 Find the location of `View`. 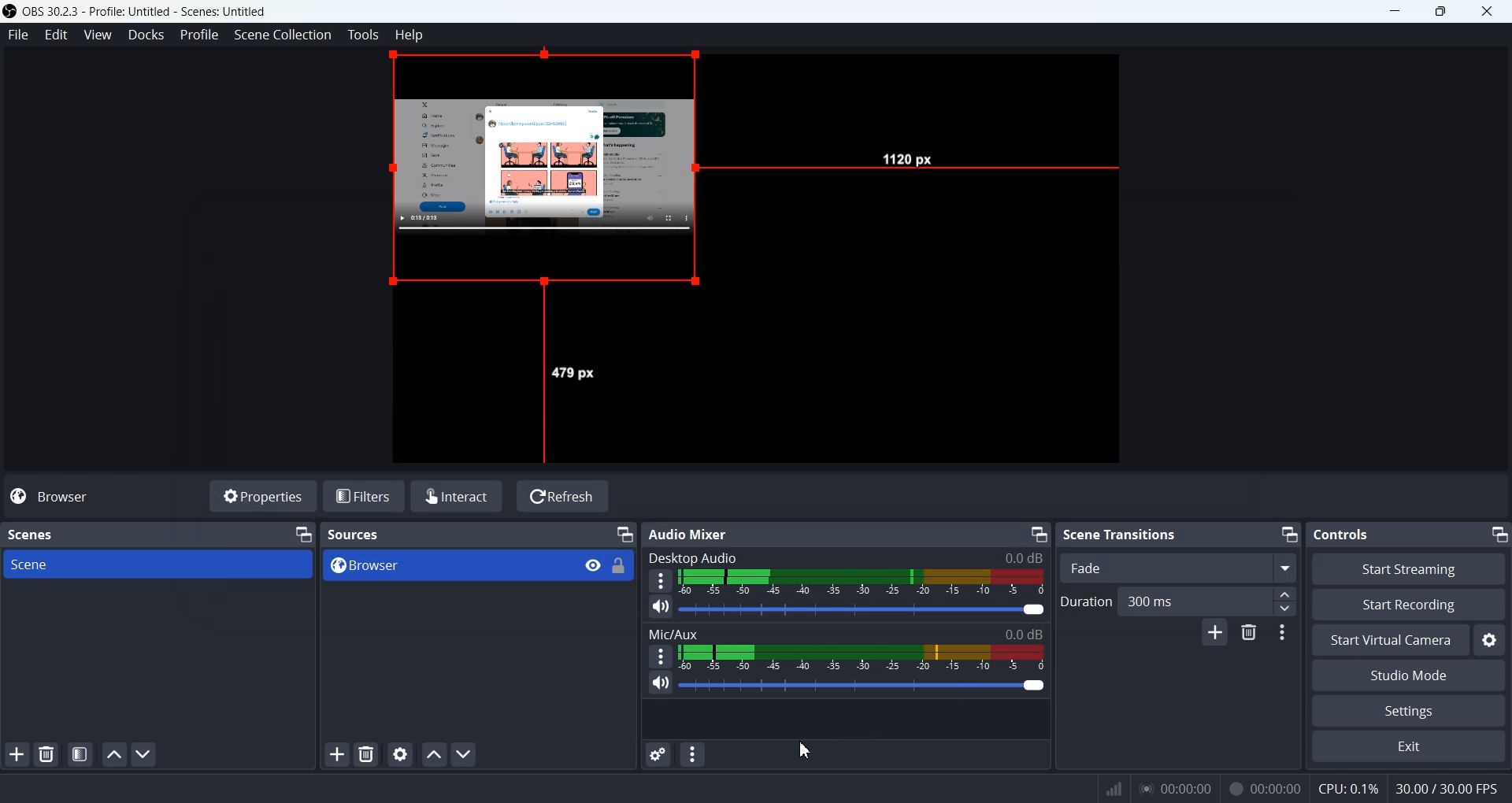

View is located at coordinates (594, 564).